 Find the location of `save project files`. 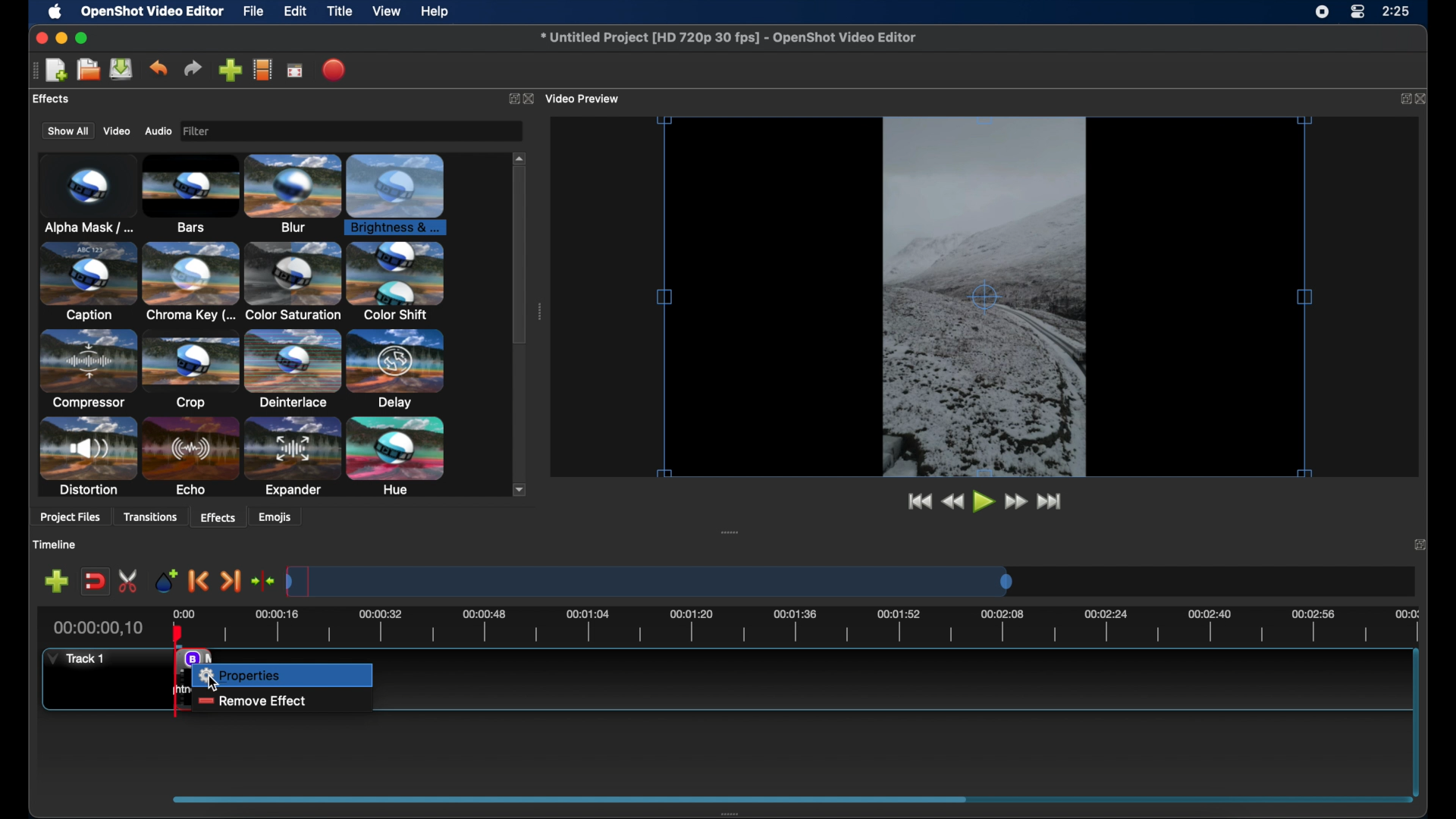

save project files is located at coordinates (121, 69).